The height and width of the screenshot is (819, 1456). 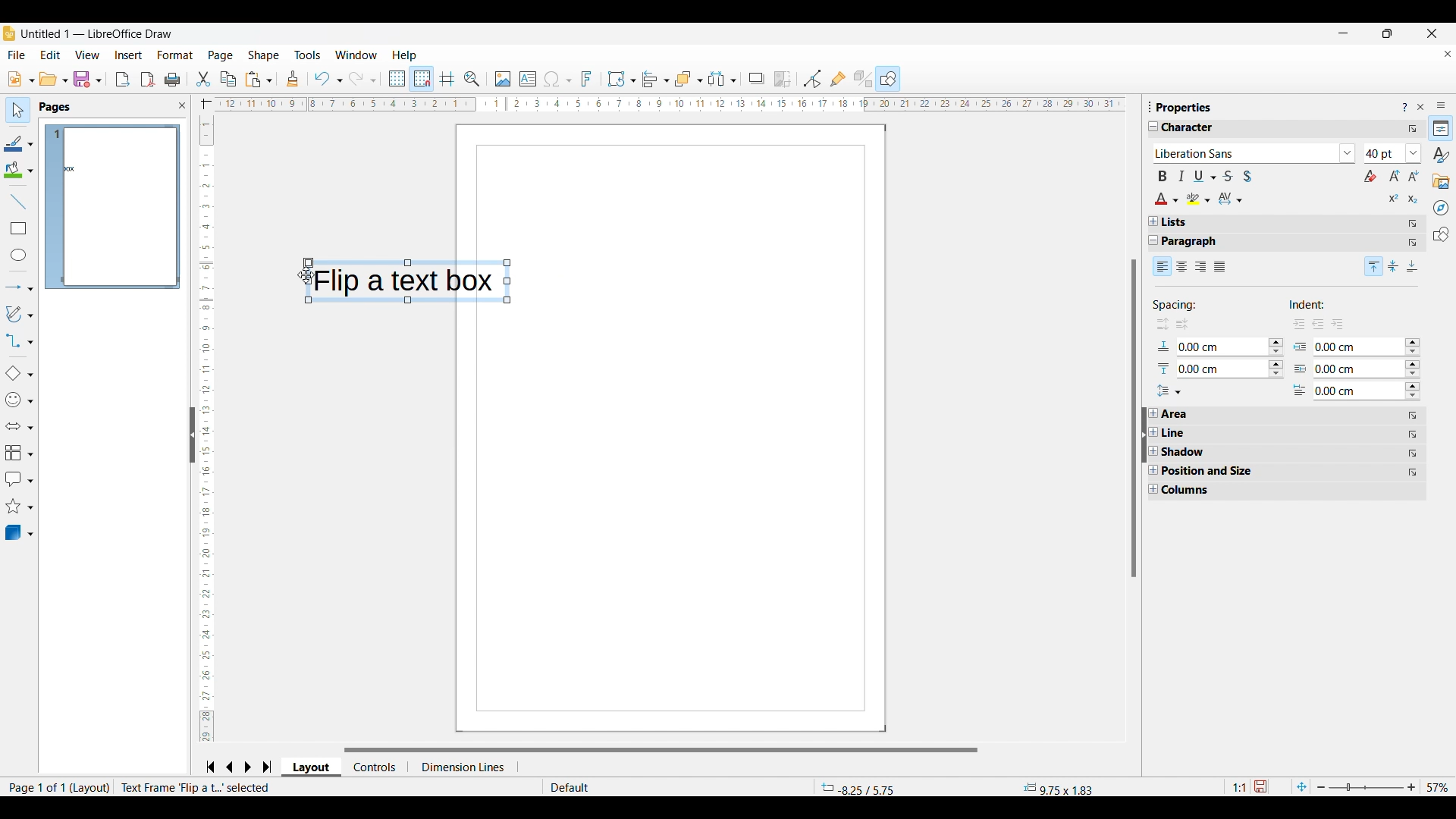 I want to click on Help about sidebar, so click(x=1404, y=108).